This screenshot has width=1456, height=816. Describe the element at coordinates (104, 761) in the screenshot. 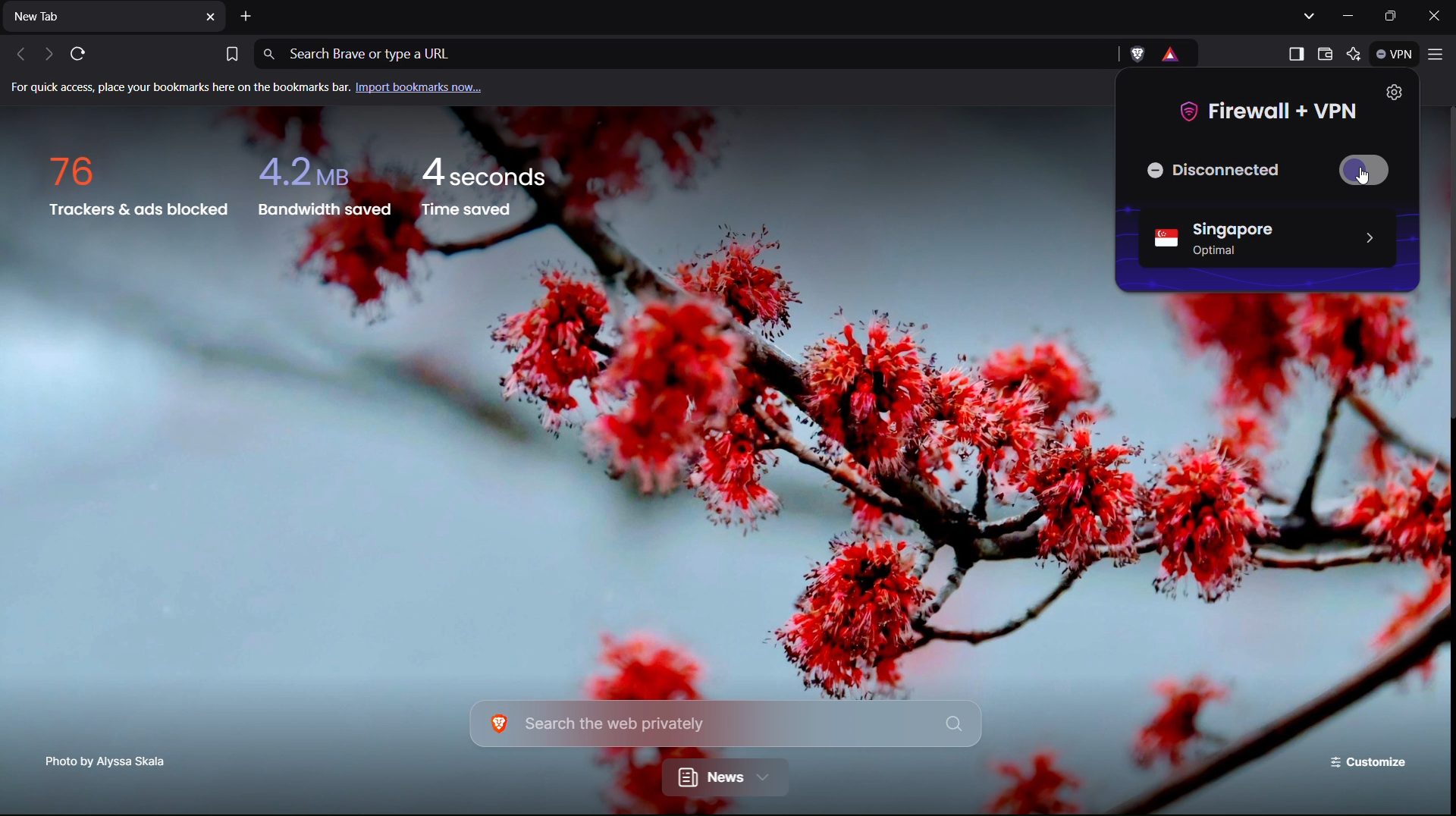

I see `Photo Credit` at that location.